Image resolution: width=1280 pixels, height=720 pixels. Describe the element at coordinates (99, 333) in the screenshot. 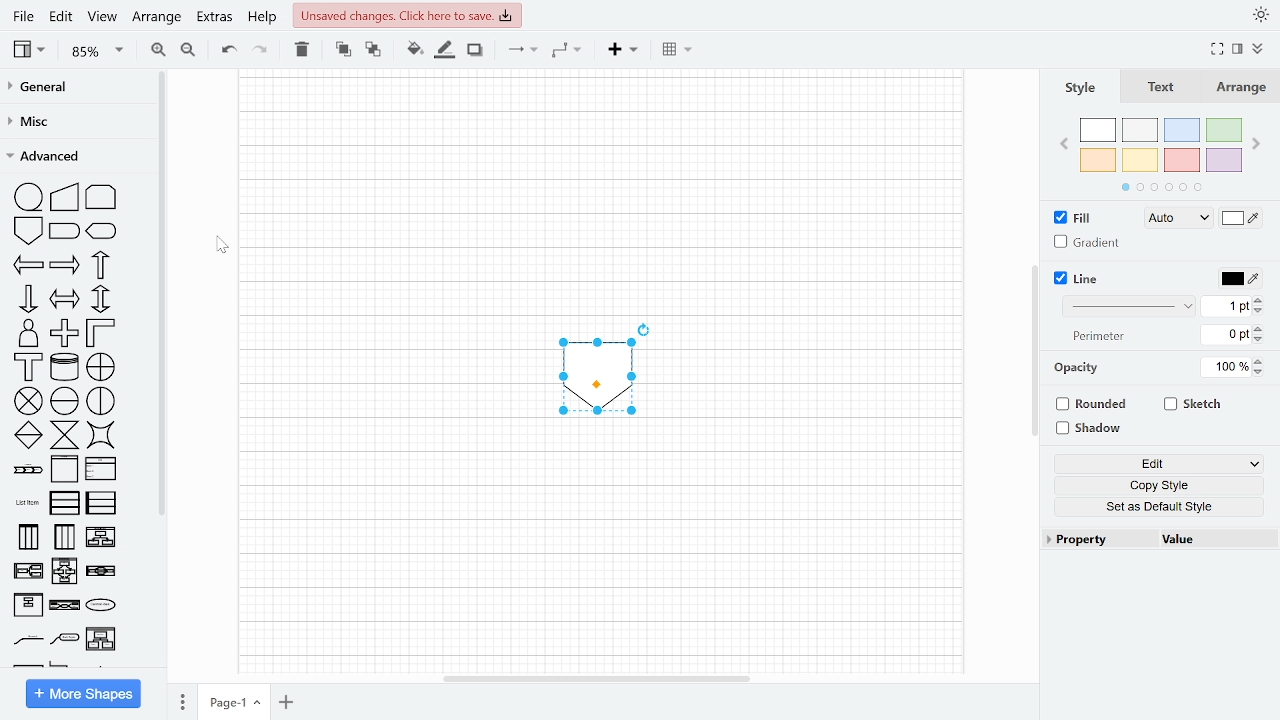

I see `corner` at that location.